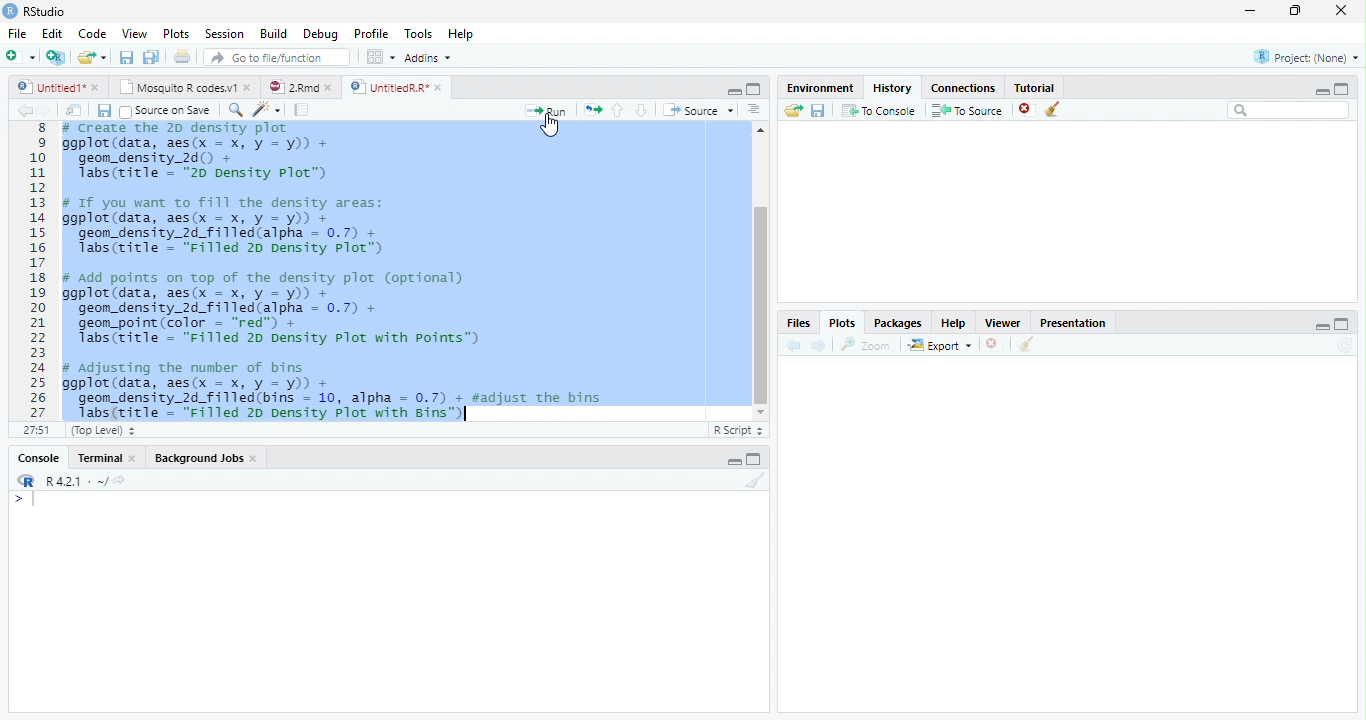 The height and width of the screenshot is (720, 1366). Describe the element at coordinates (880, 110) in the screenshot. I see `To console` at that location.